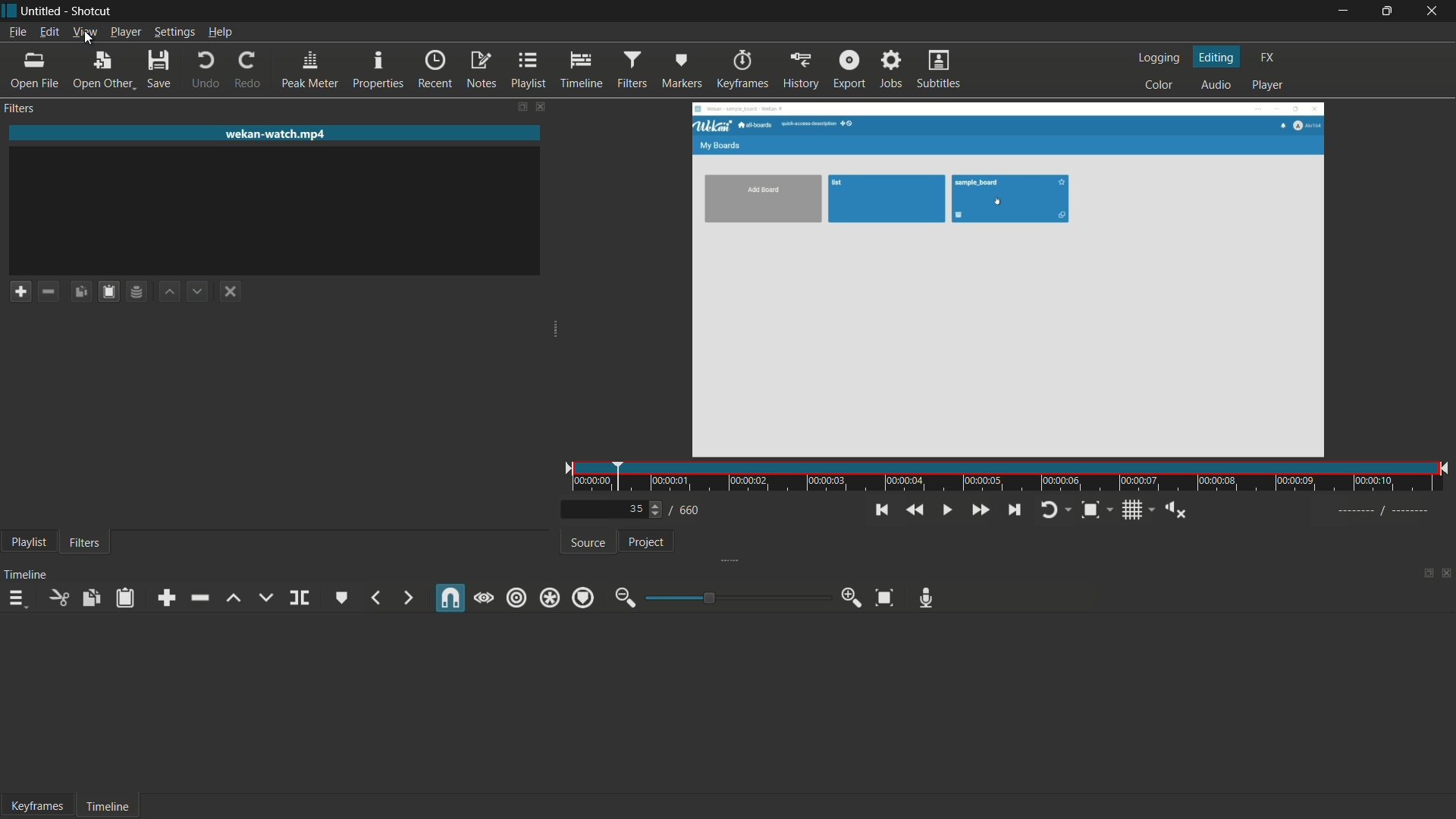 This screenshot has width=1456, height=819. Describe the element at coordinates (174, 32) in the screenshot. I see `settings menu` at that location.